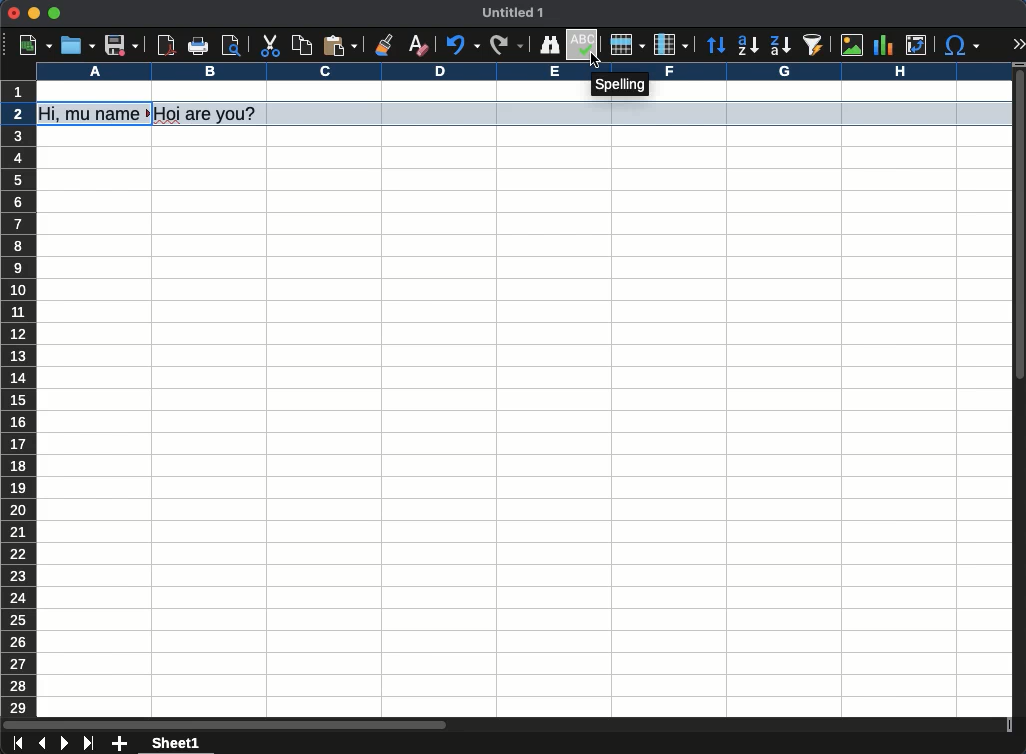 Image resolution: width=1026 pixels, height=754 pixels. Describe the element at coordinates (882, 45) in the screenshot. I see `chart` at that location.